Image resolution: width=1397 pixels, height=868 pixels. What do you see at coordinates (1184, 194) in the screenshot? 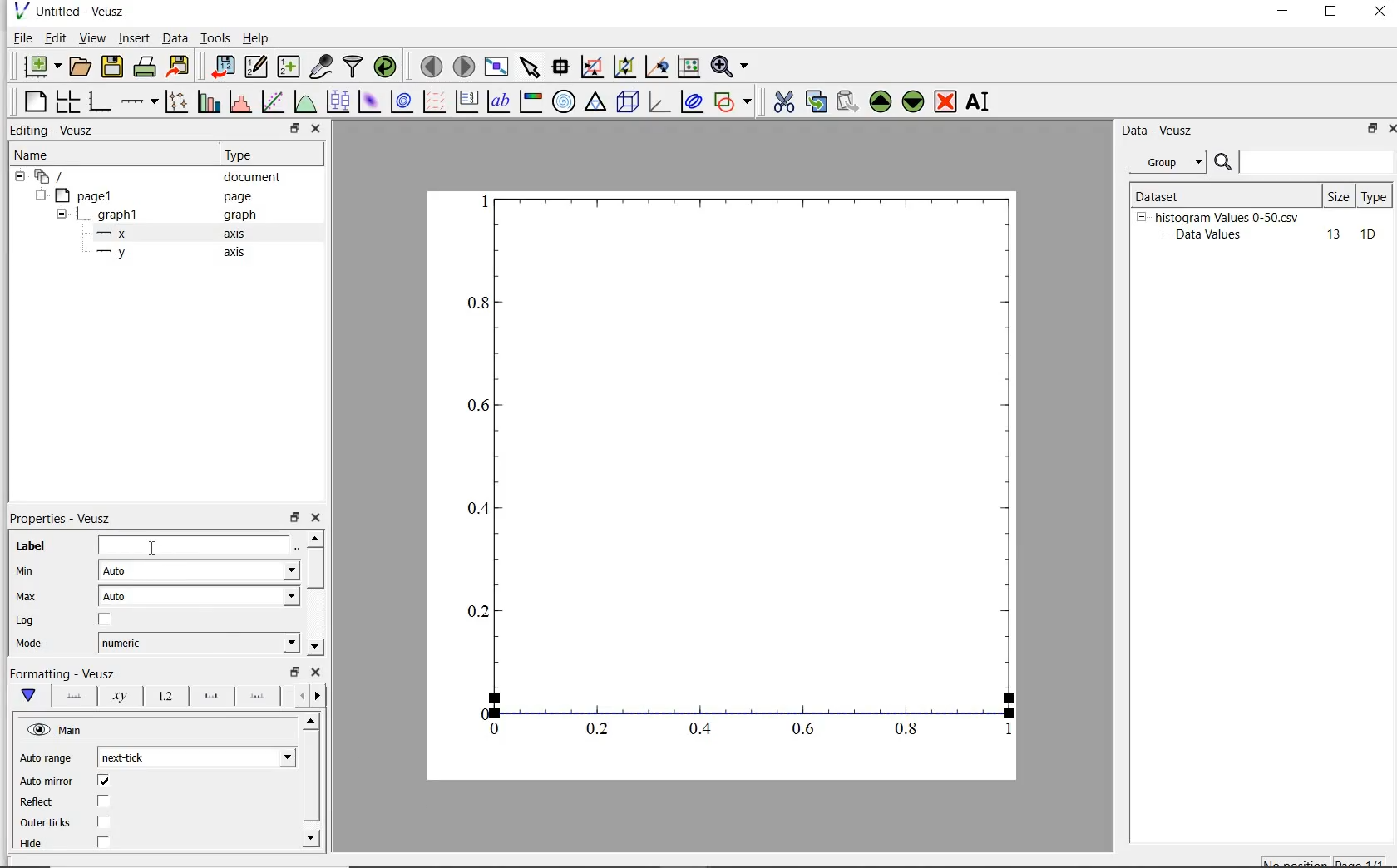
I see `Dataset` at bounding box center [1184, 194].